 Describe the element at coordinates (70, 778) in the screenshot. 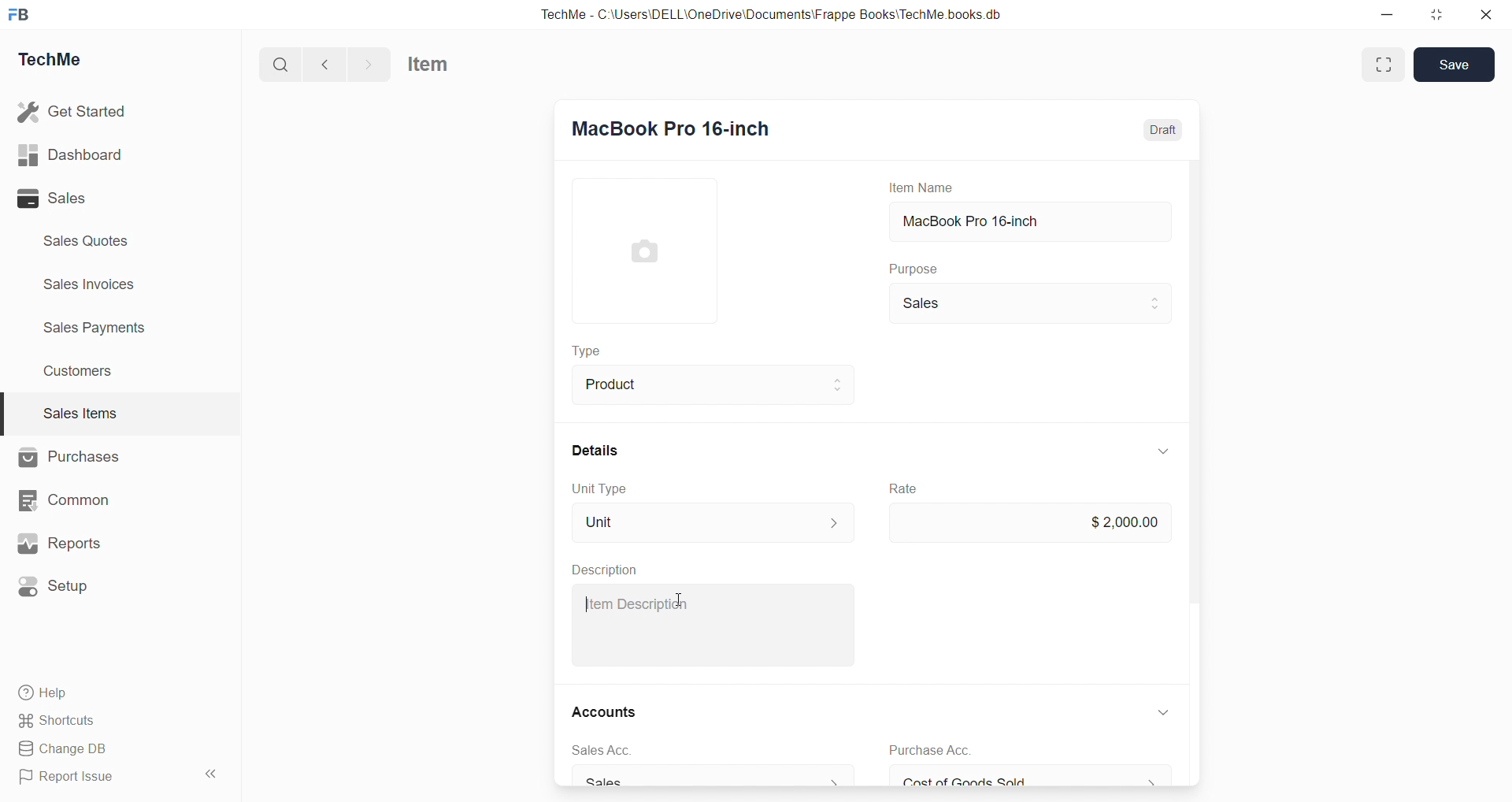

I see `Report Issue` at that location.